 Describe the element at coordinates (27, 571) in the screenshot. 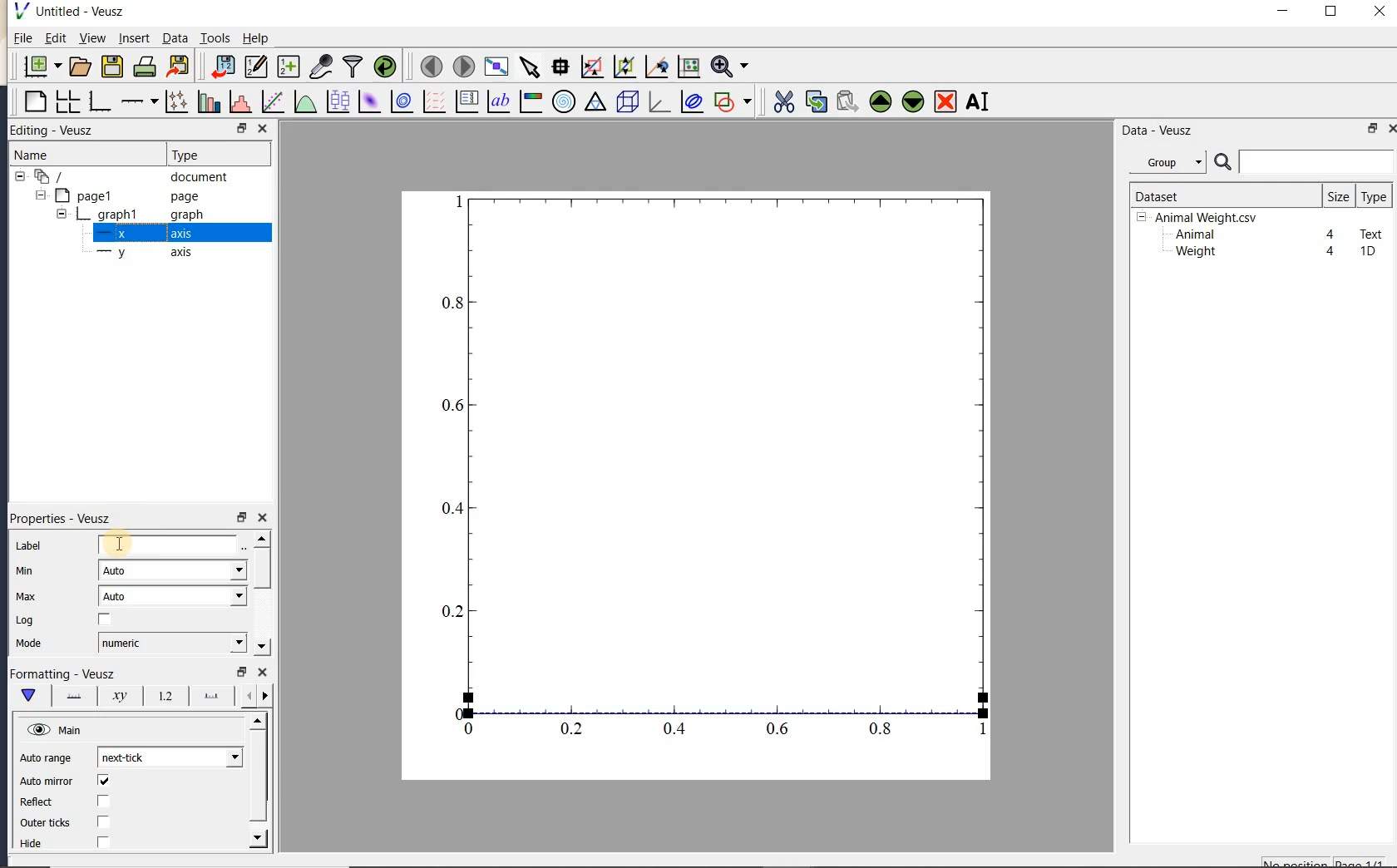

I see `Min` at that location.